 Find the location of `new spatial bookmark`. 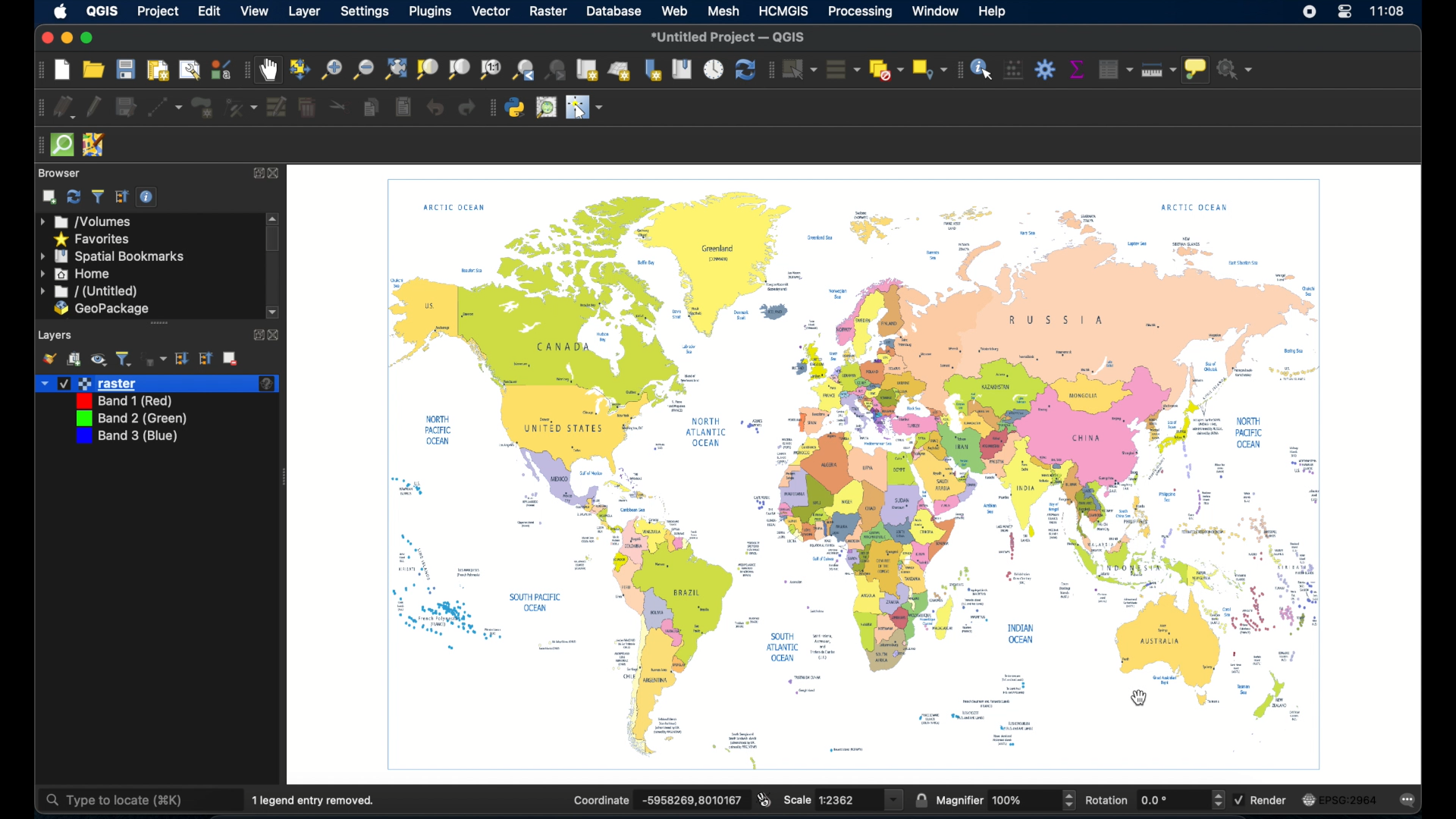

new spatial bookmark is located at coordinates (654, 69).